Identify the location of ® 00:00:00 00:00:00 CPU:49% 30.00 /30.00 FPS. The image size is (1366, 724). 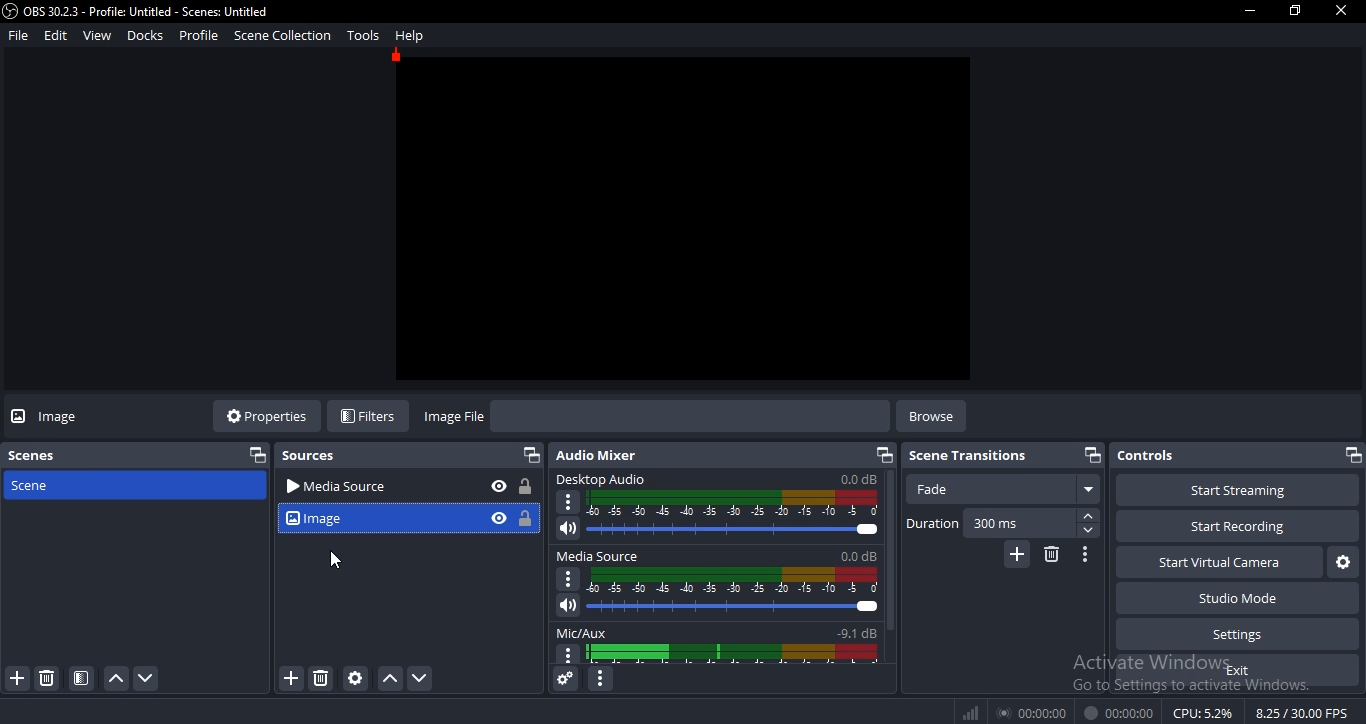
(1156, 711).